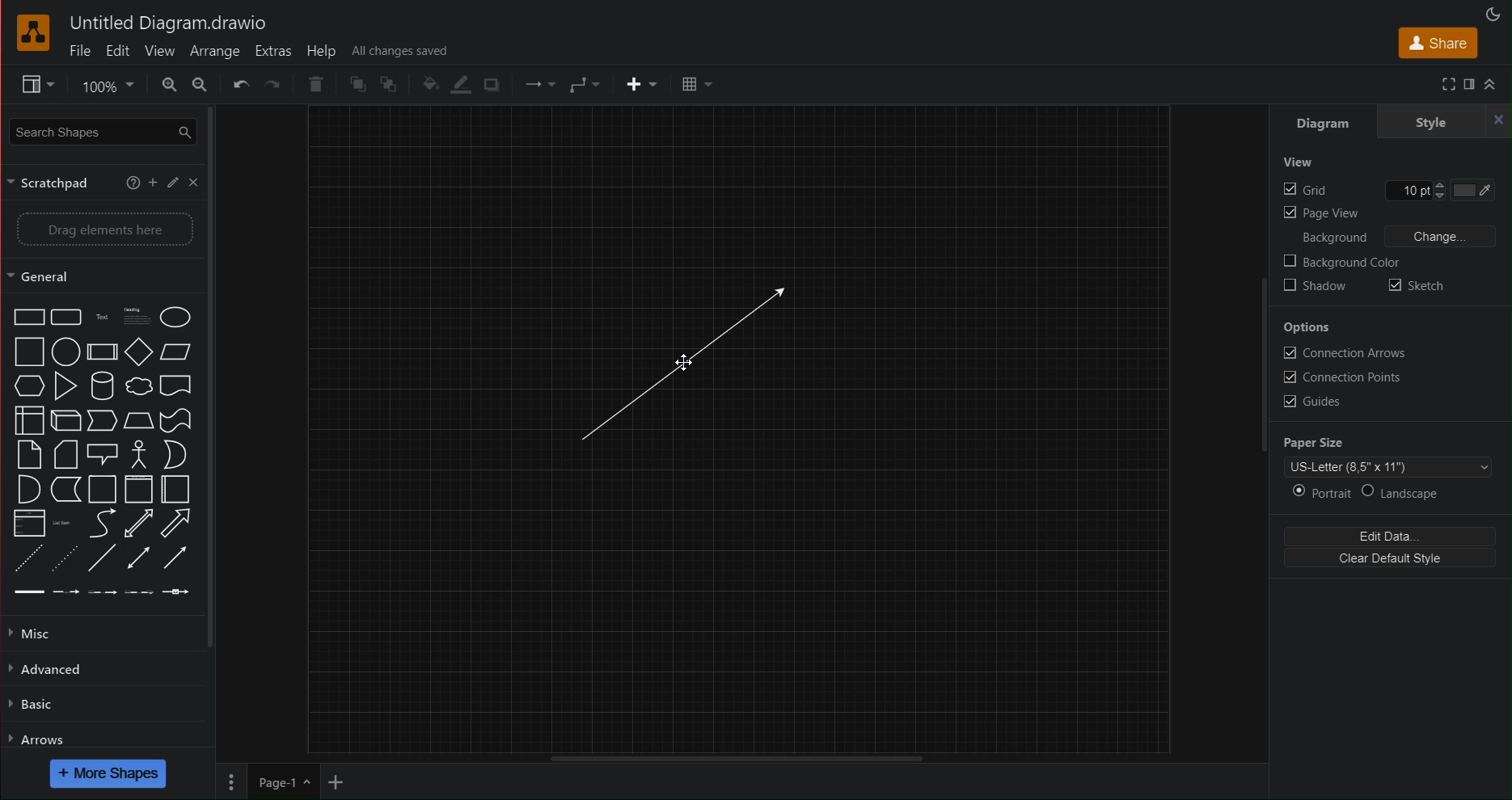  What do you see at coordinates (424, 84) in the screenshot?
I see `Fill Color` at bounding box center [424, 84].